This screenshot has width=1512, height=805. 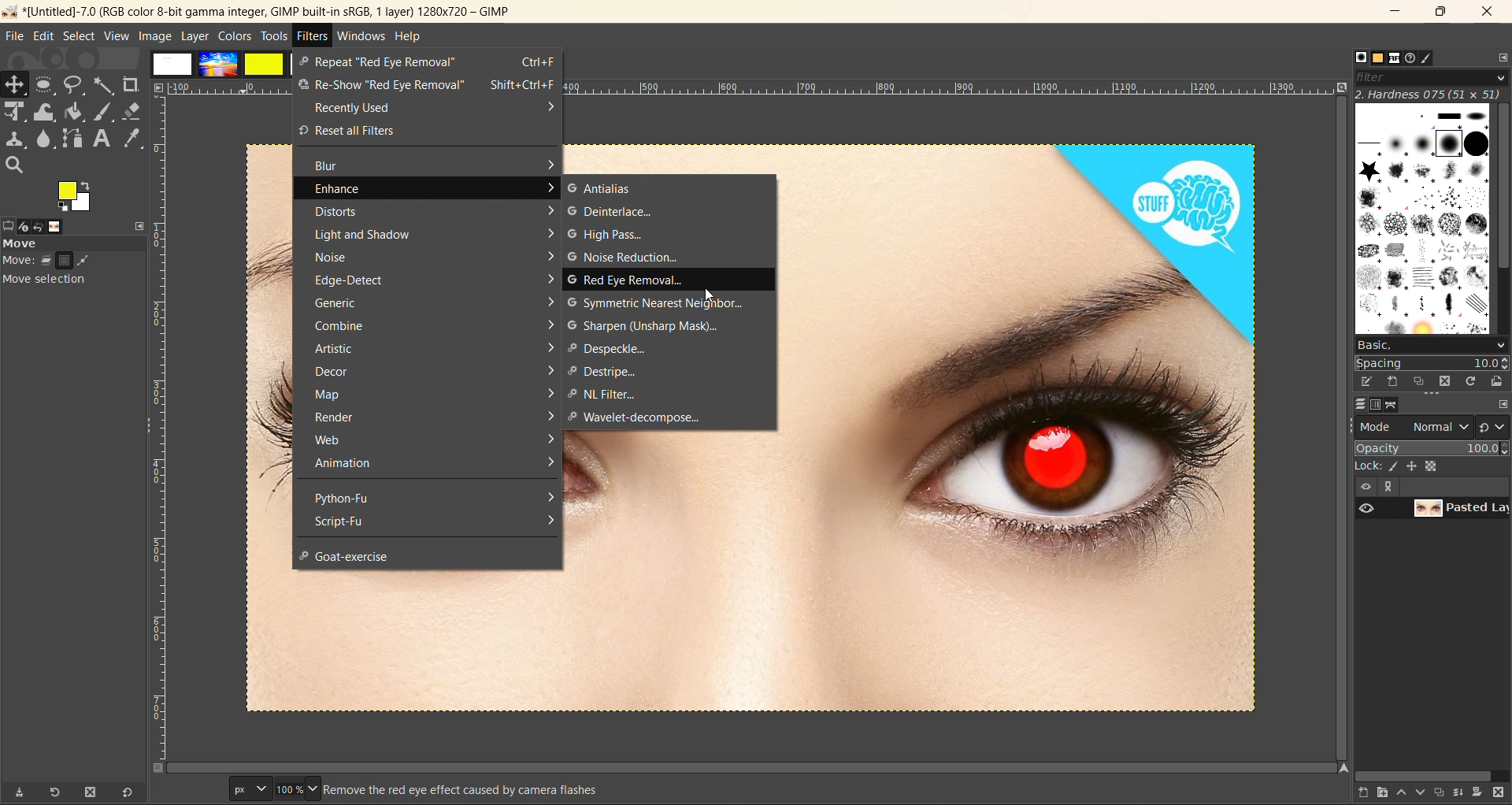 I want to click on mode, so click(x=1413, y=428).